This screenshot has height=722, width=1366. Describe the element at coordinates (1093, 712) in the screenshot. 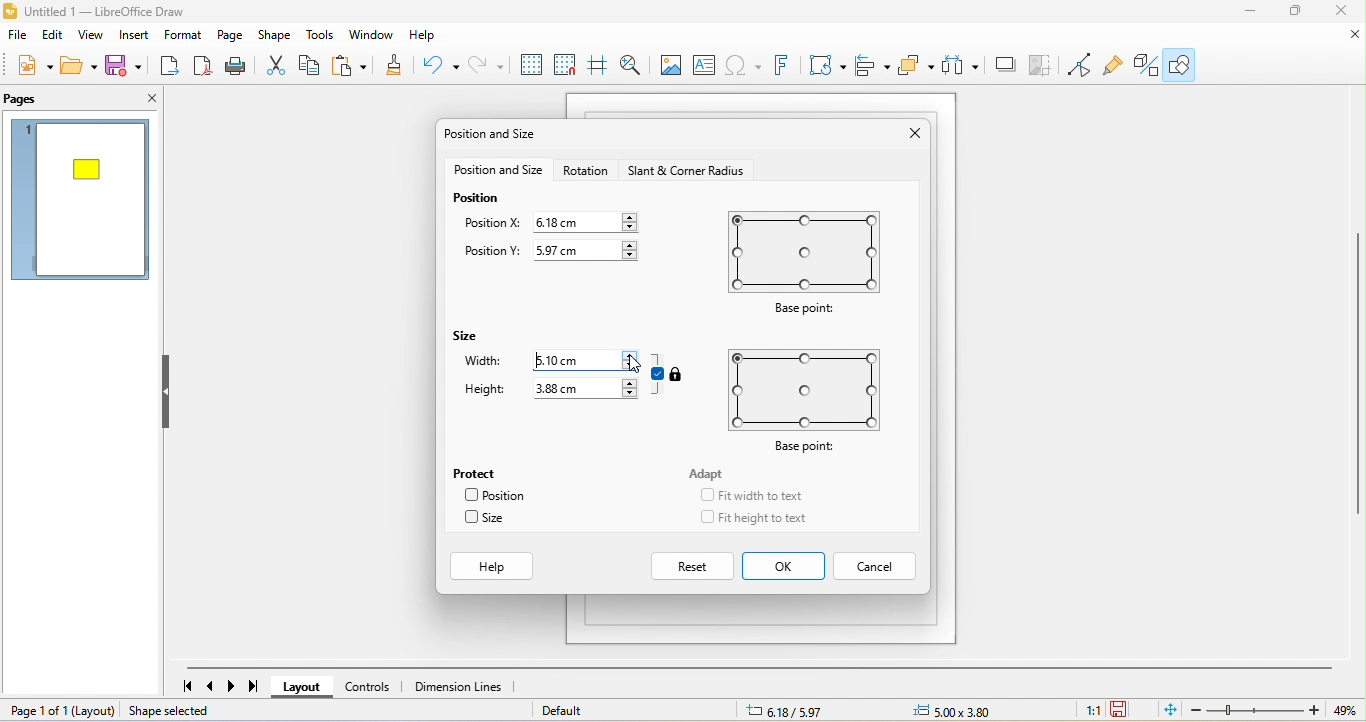

I see `1:1` at that location.